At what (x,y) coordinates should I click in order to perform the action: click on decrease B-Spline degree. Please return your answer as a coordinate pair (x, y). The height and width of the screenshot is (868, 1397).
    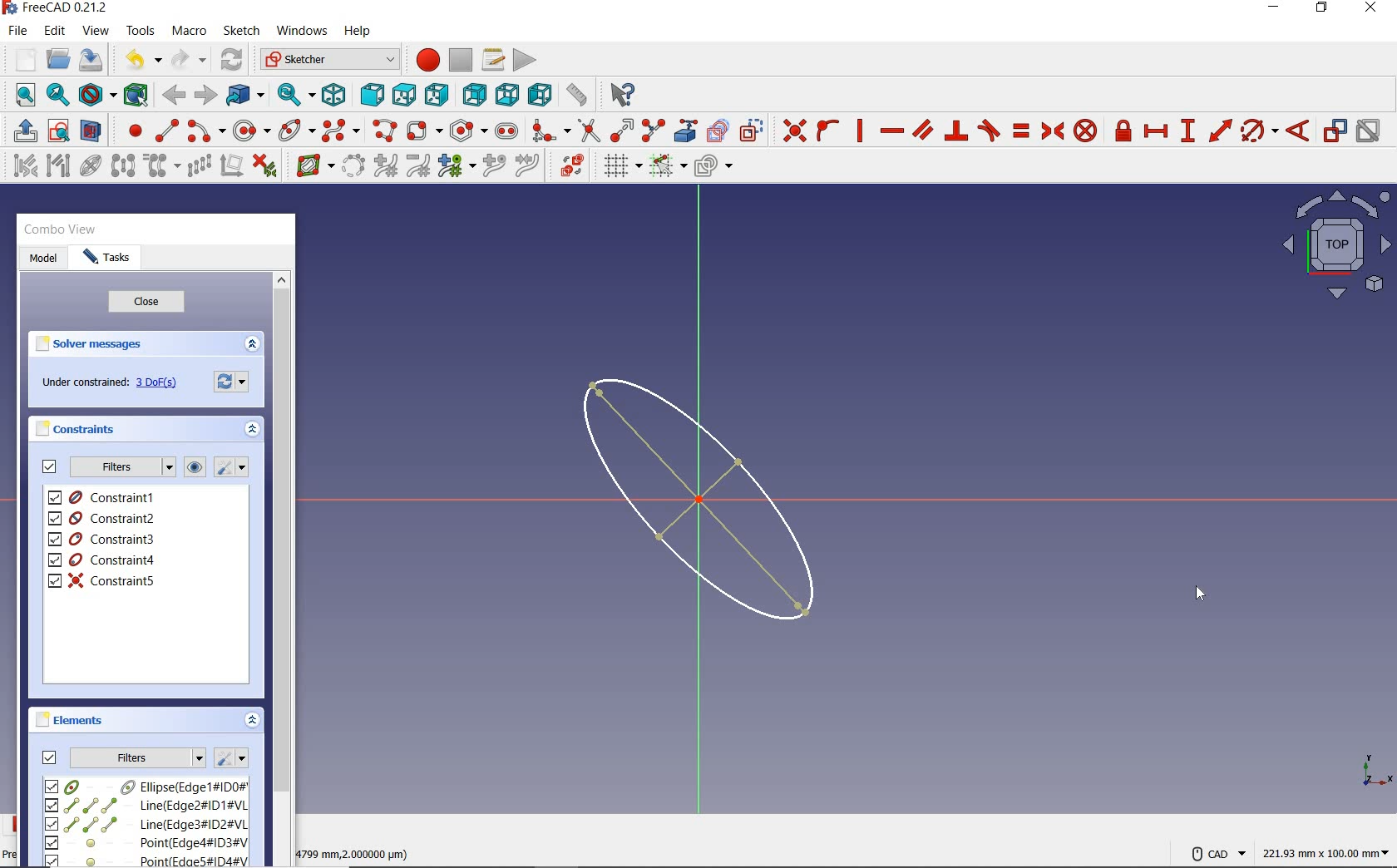
    Looking at the image, I should click on (417, 165).